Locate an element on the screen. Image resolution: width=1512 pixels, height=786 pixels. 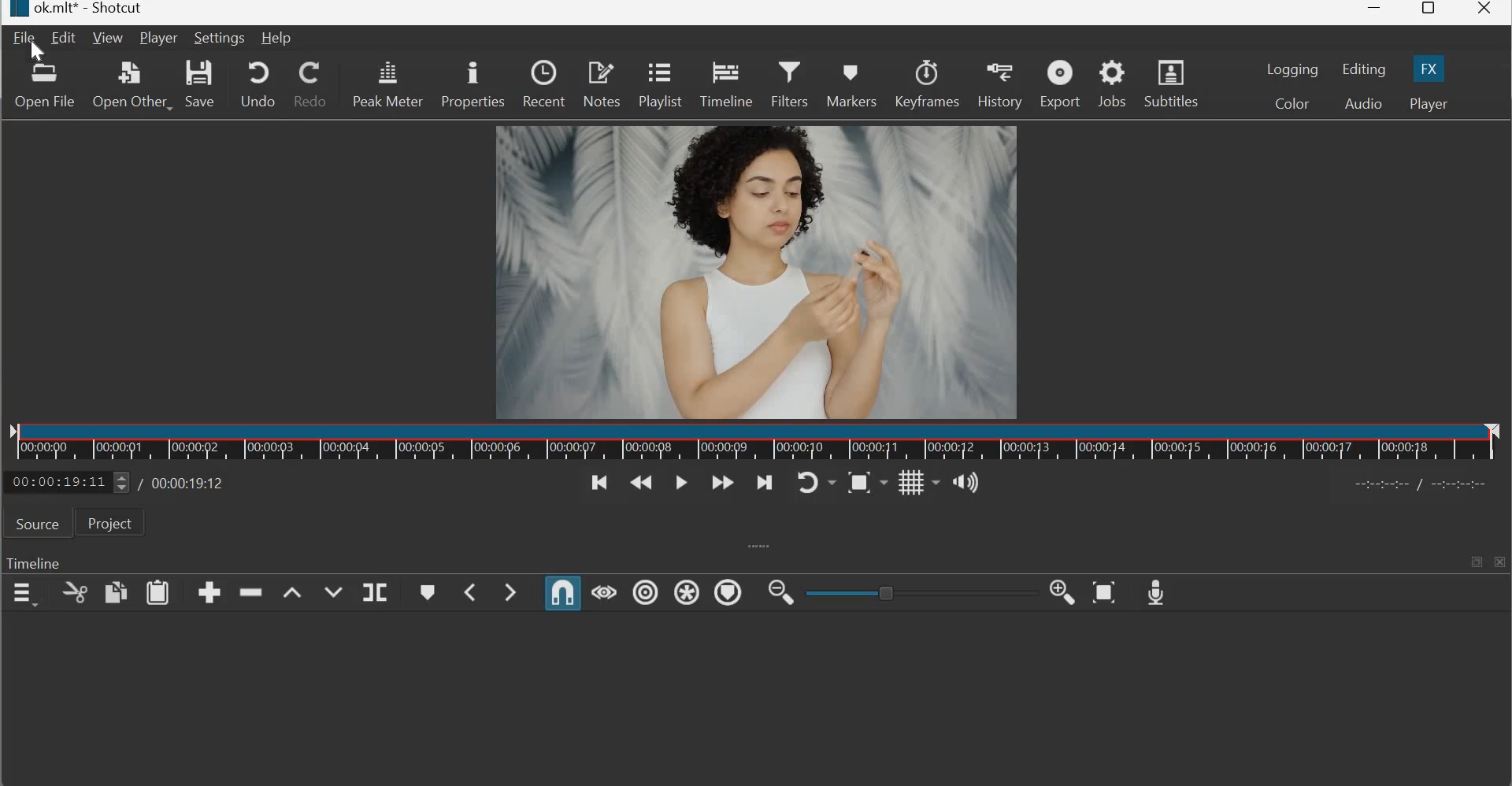
close is located at coordinates (1501, 562).